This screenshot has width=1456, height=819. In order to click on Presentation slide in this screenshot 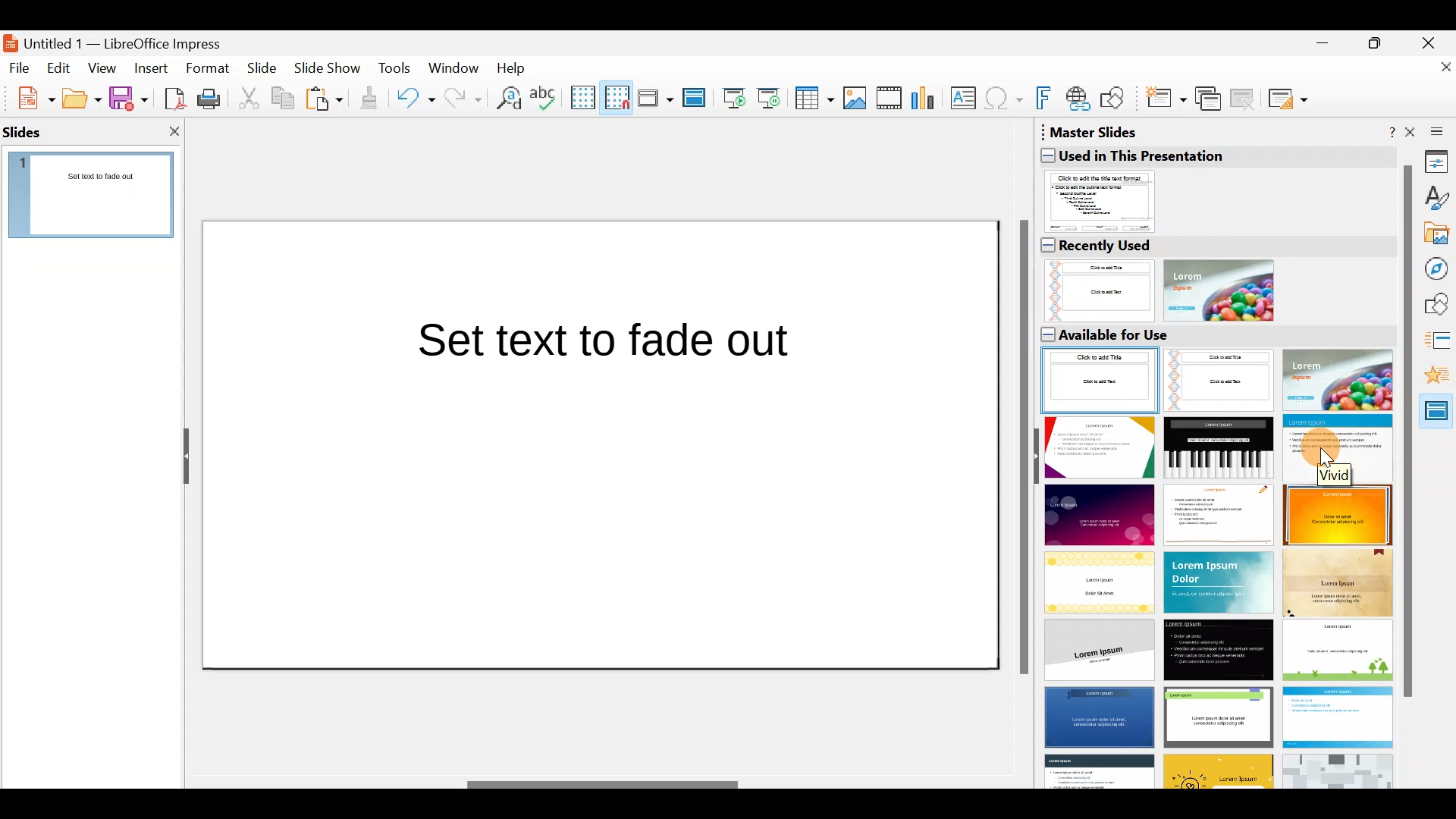, I will do `click(600, 444)`.